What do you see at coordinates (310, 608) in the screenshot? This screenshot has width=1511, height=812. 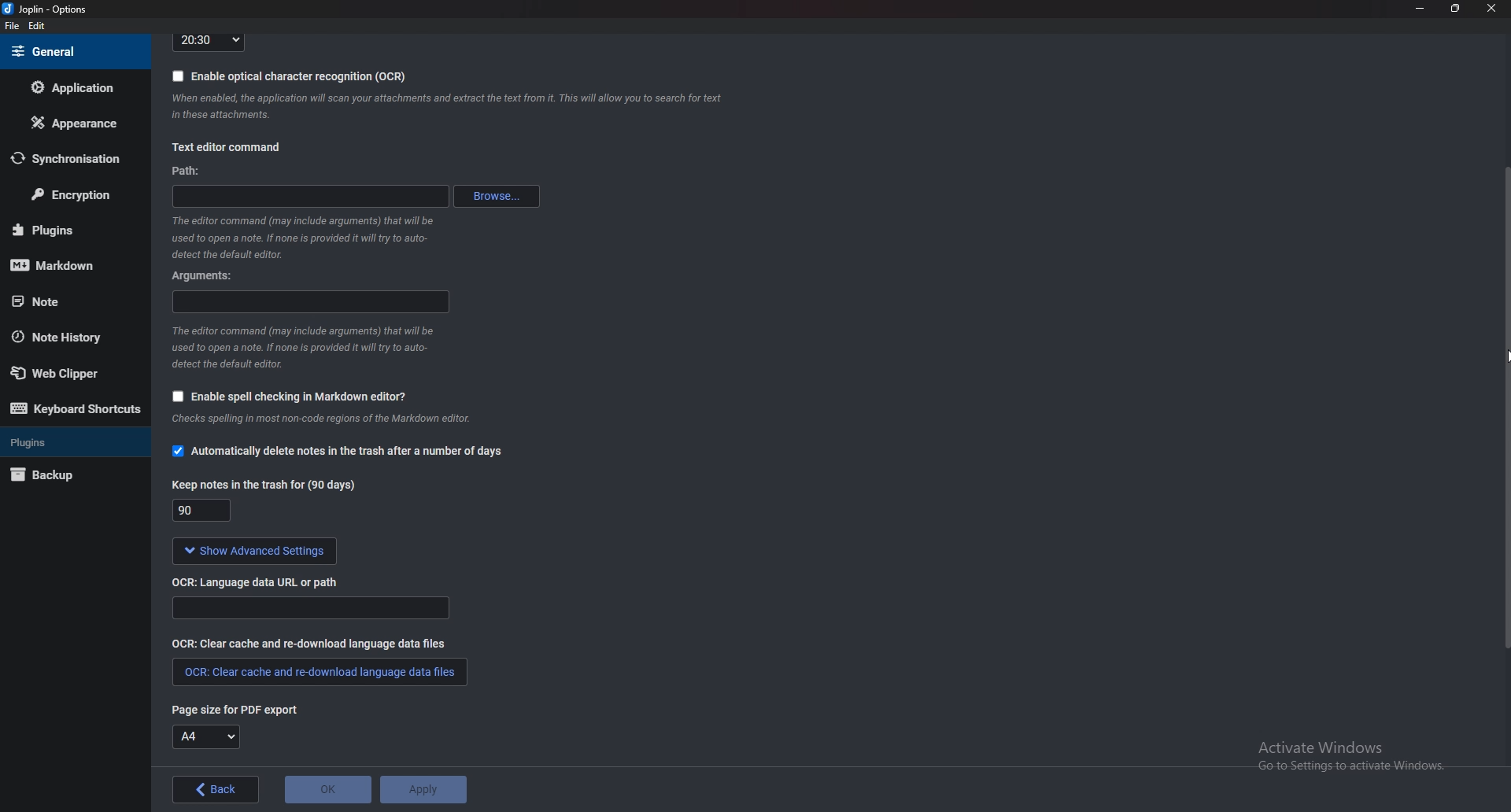 I see `Ocr language data url or path` at bounding box center [310, 608].